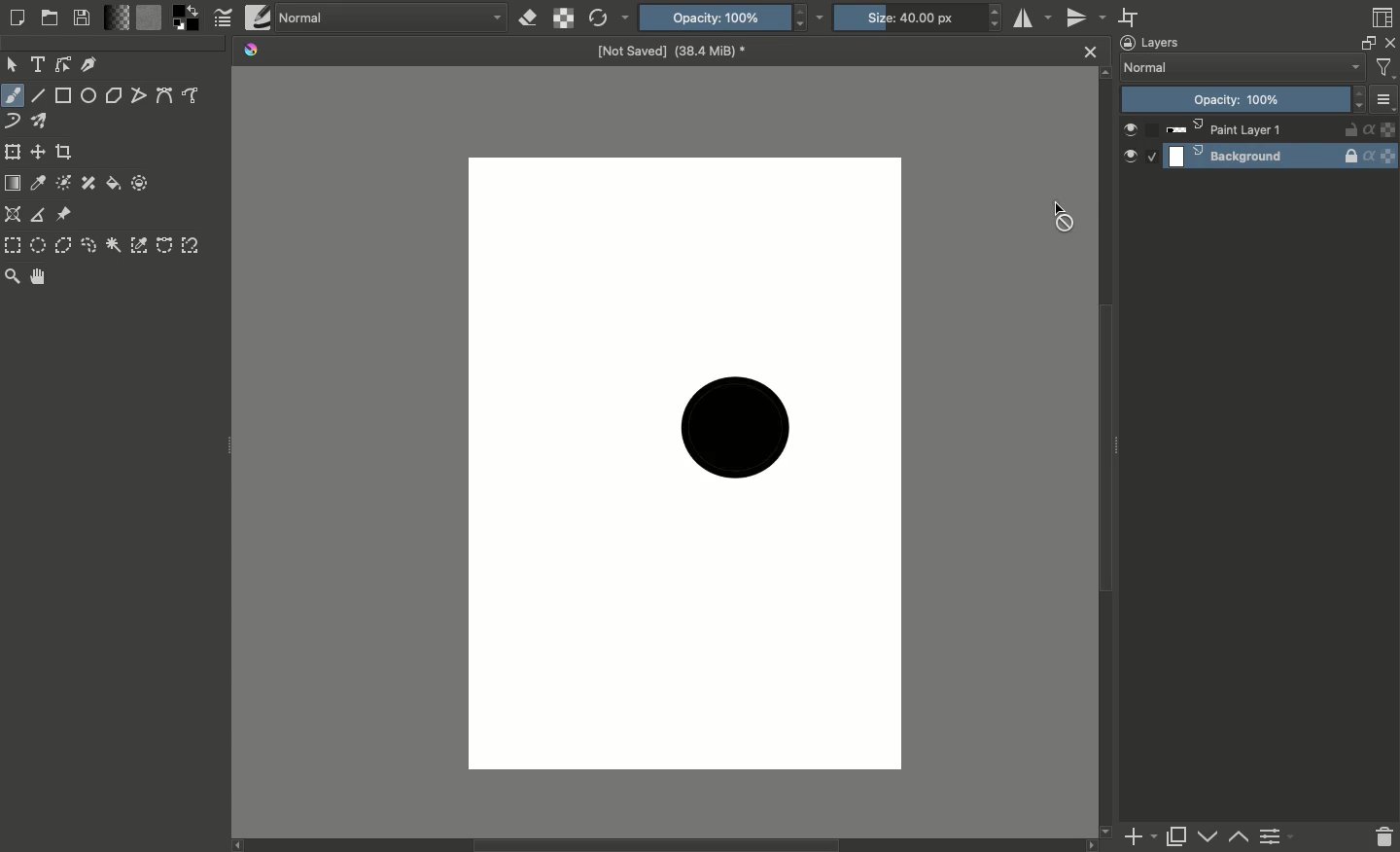  What do you see at coordinates (679, 54) in the screenshot?
I see `Name` at bounding box center [679, 54].